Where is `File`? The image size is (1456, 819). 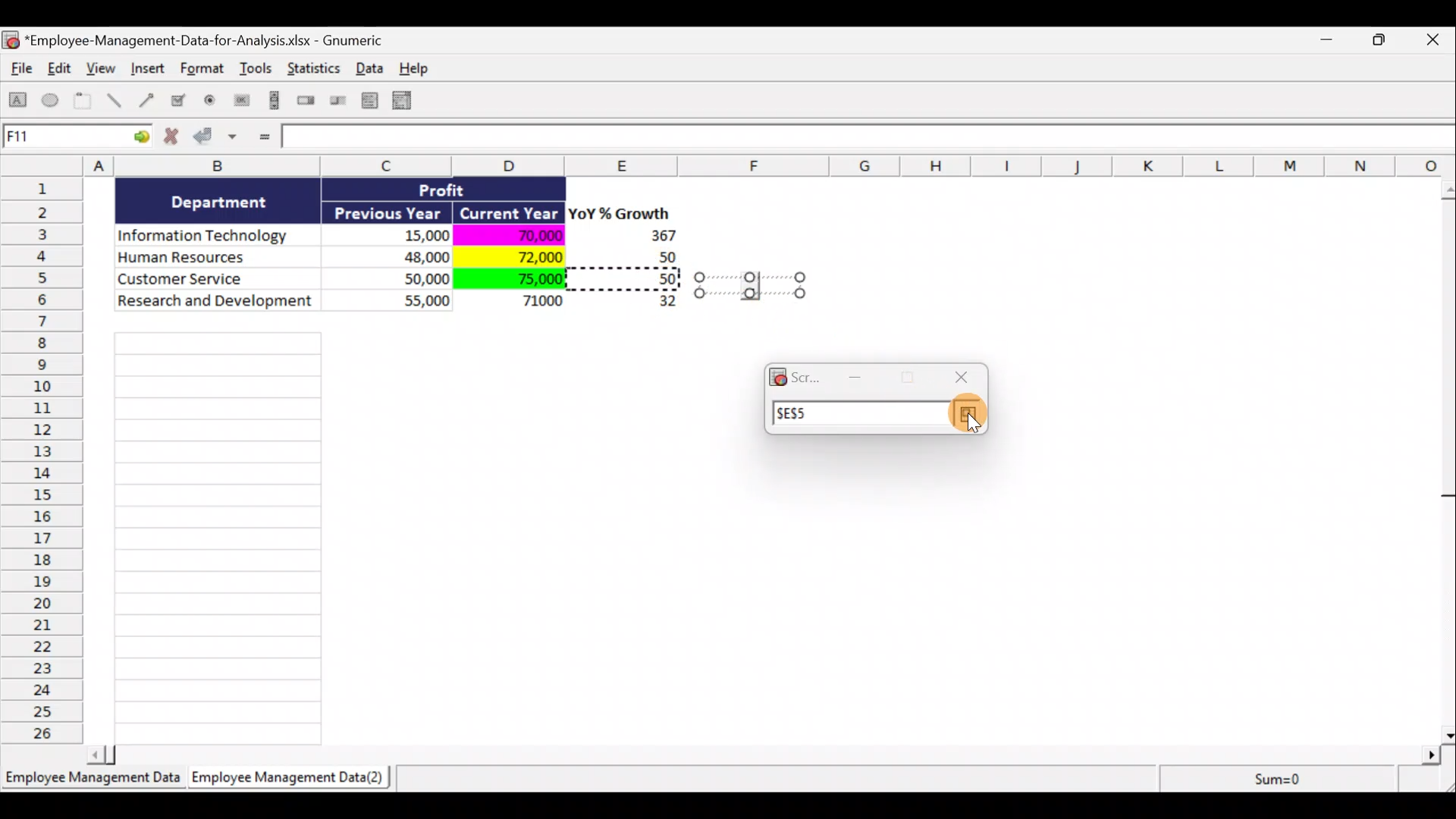 File is located at coordinates (18, 71).